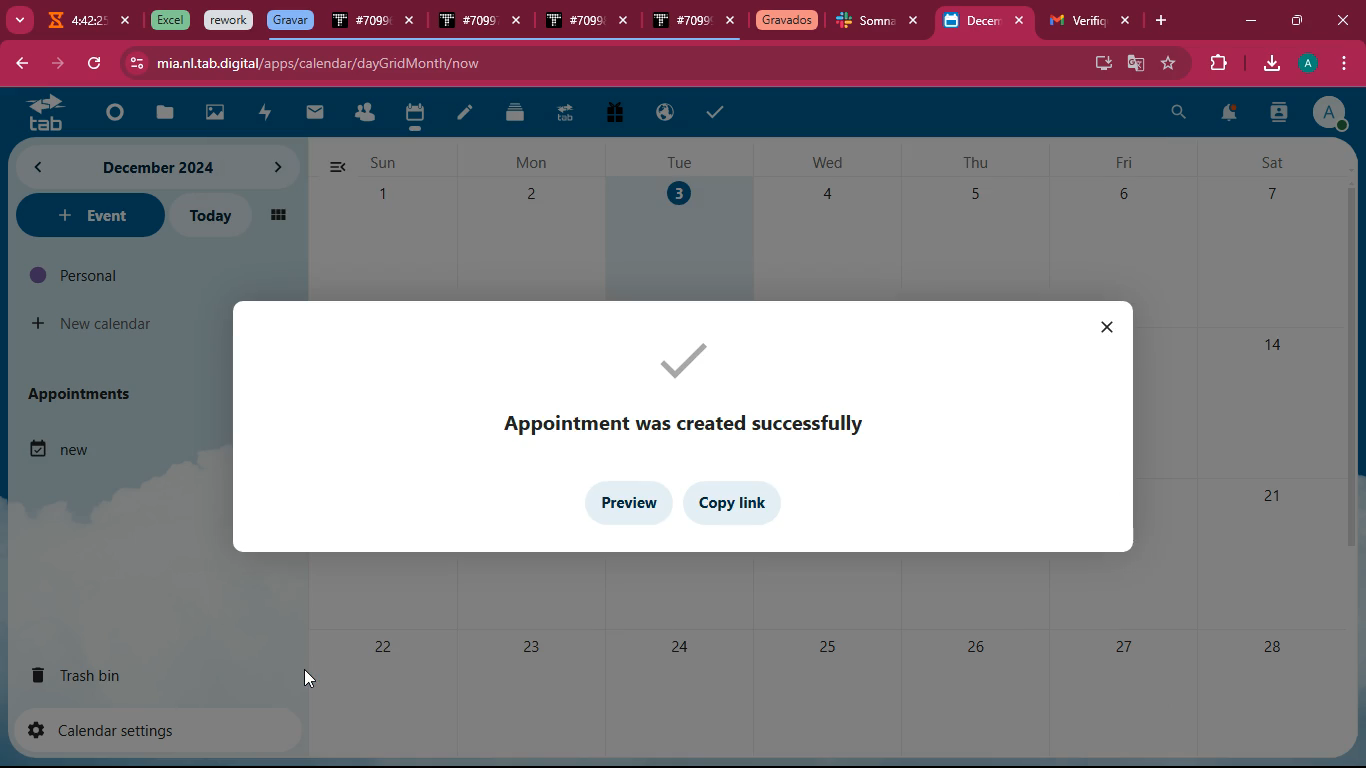 This screenshot has width=1366, height=768. What do you see at coordinates (229, 21) in the screenshot?
I see `tab` at bounding box center [229, 21].